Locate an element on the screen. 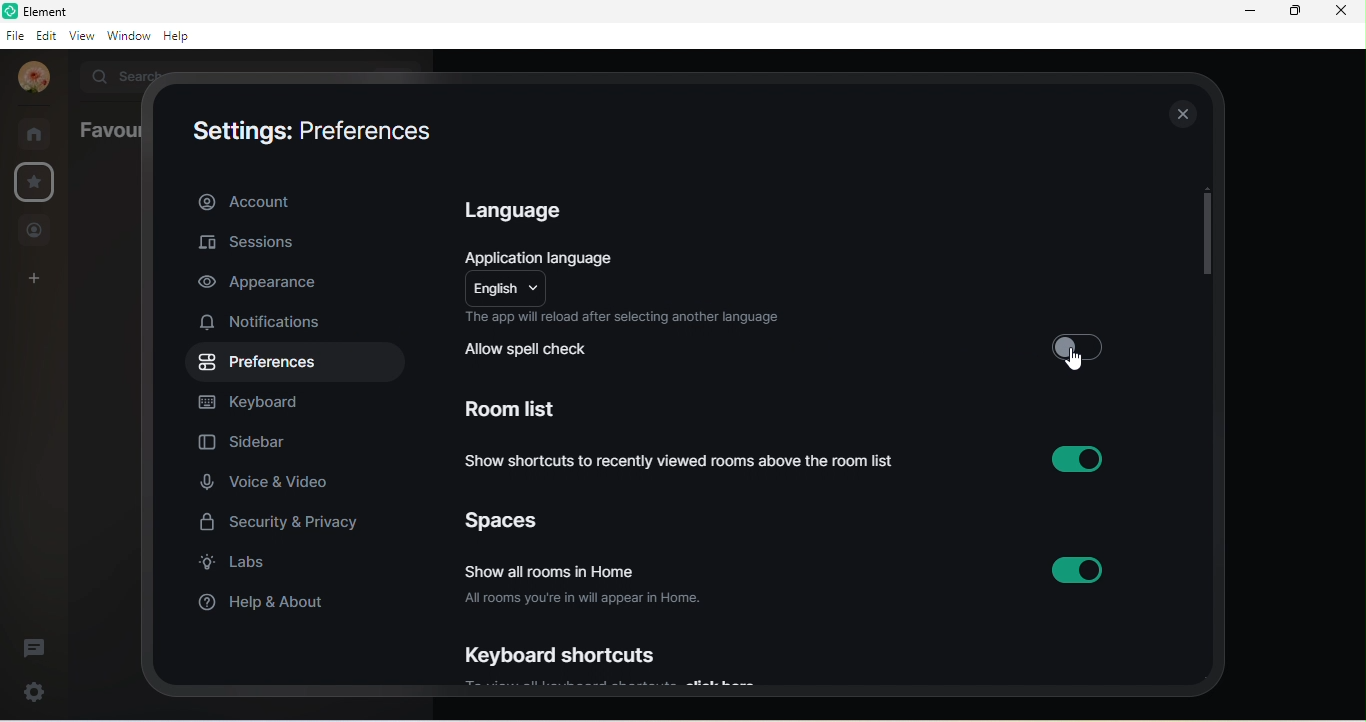 The width and height of the screenshot is (1366, 722). application language is located at coordinates (554, 257).